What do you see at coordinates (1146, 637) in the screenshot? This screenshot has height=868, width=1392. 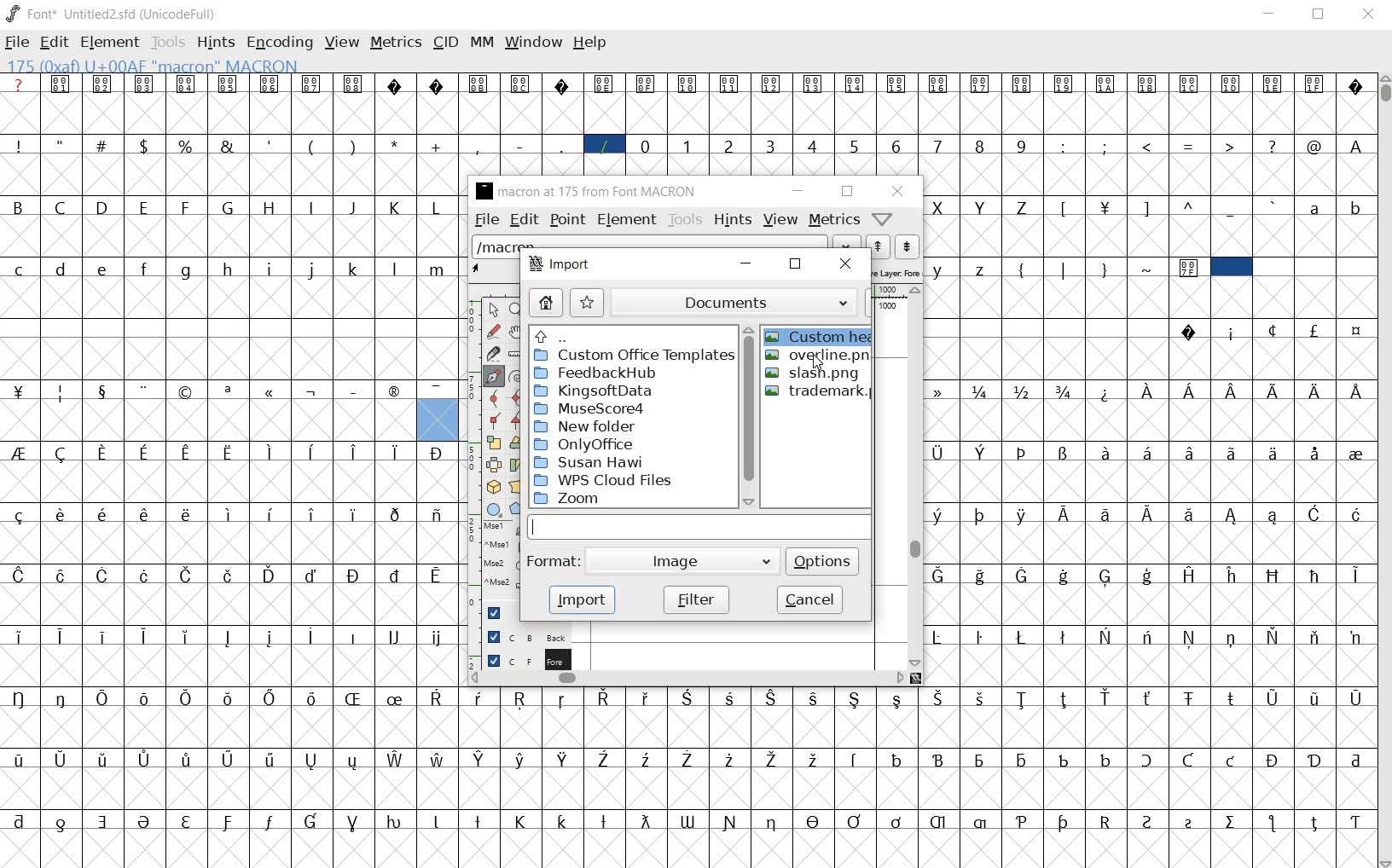 I see `Symbol` at bounding box center [1146, 637].